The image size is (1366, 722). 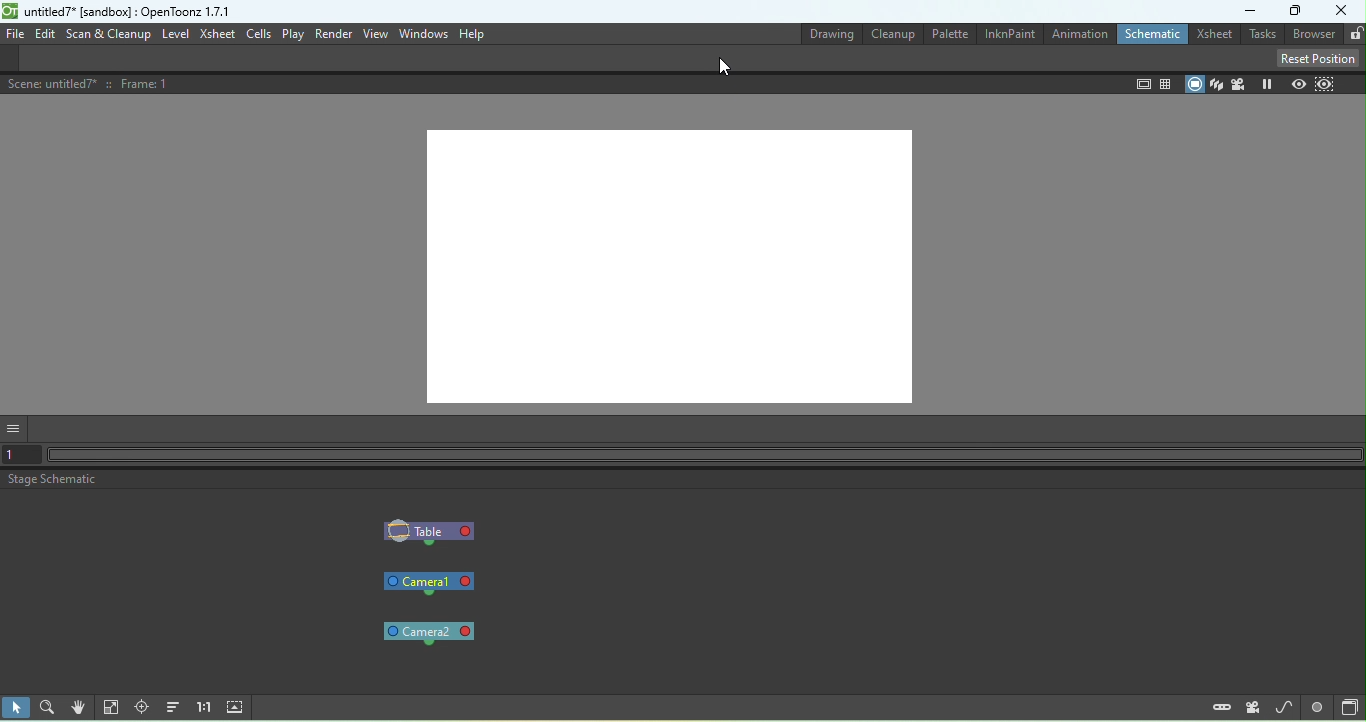 I want to click on Edit, so click(x=46, y=35).